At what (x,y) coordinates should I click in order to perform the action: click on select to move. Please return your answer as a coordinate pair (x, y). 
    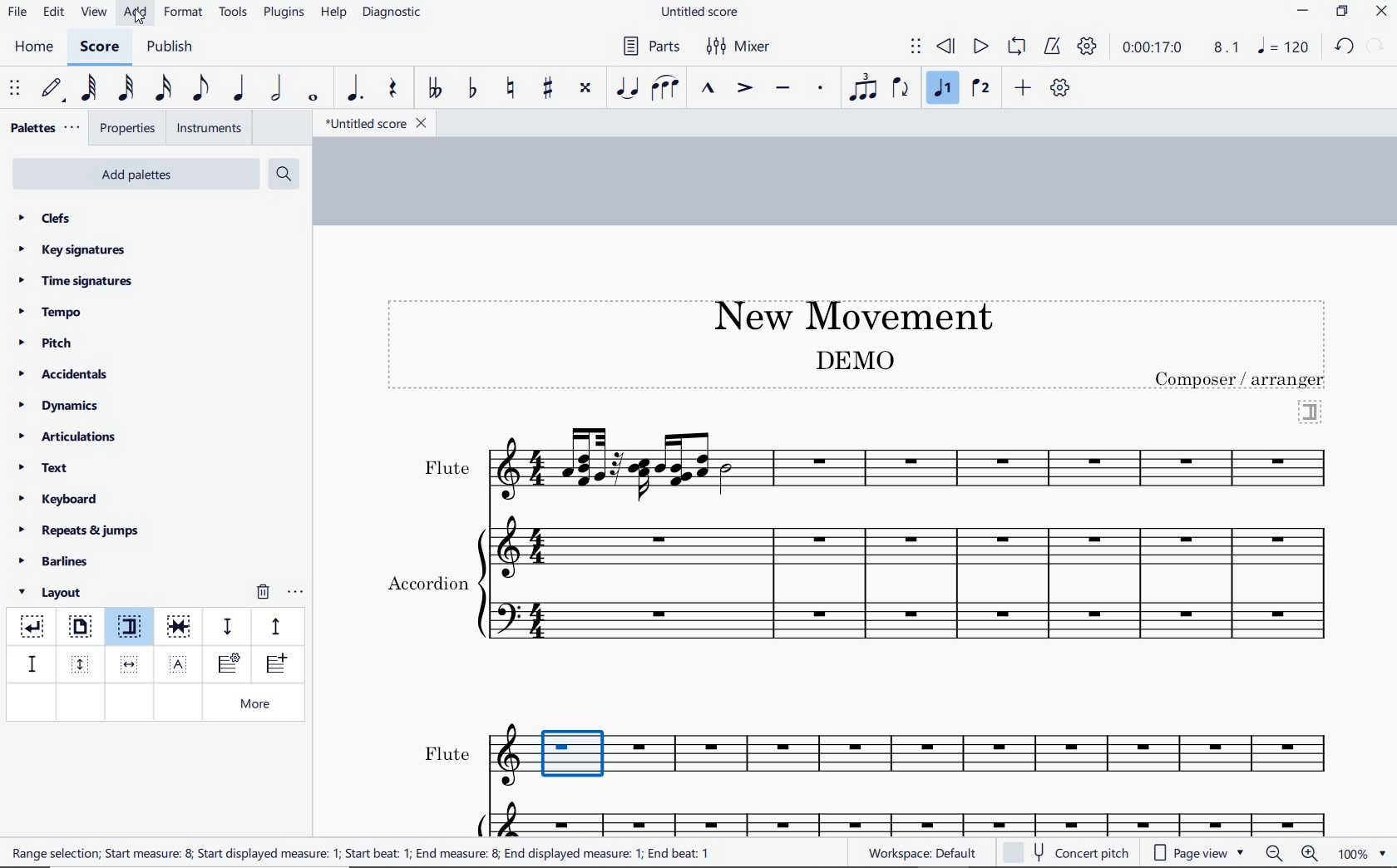
    Looking at the image, I should click on (17, 89).